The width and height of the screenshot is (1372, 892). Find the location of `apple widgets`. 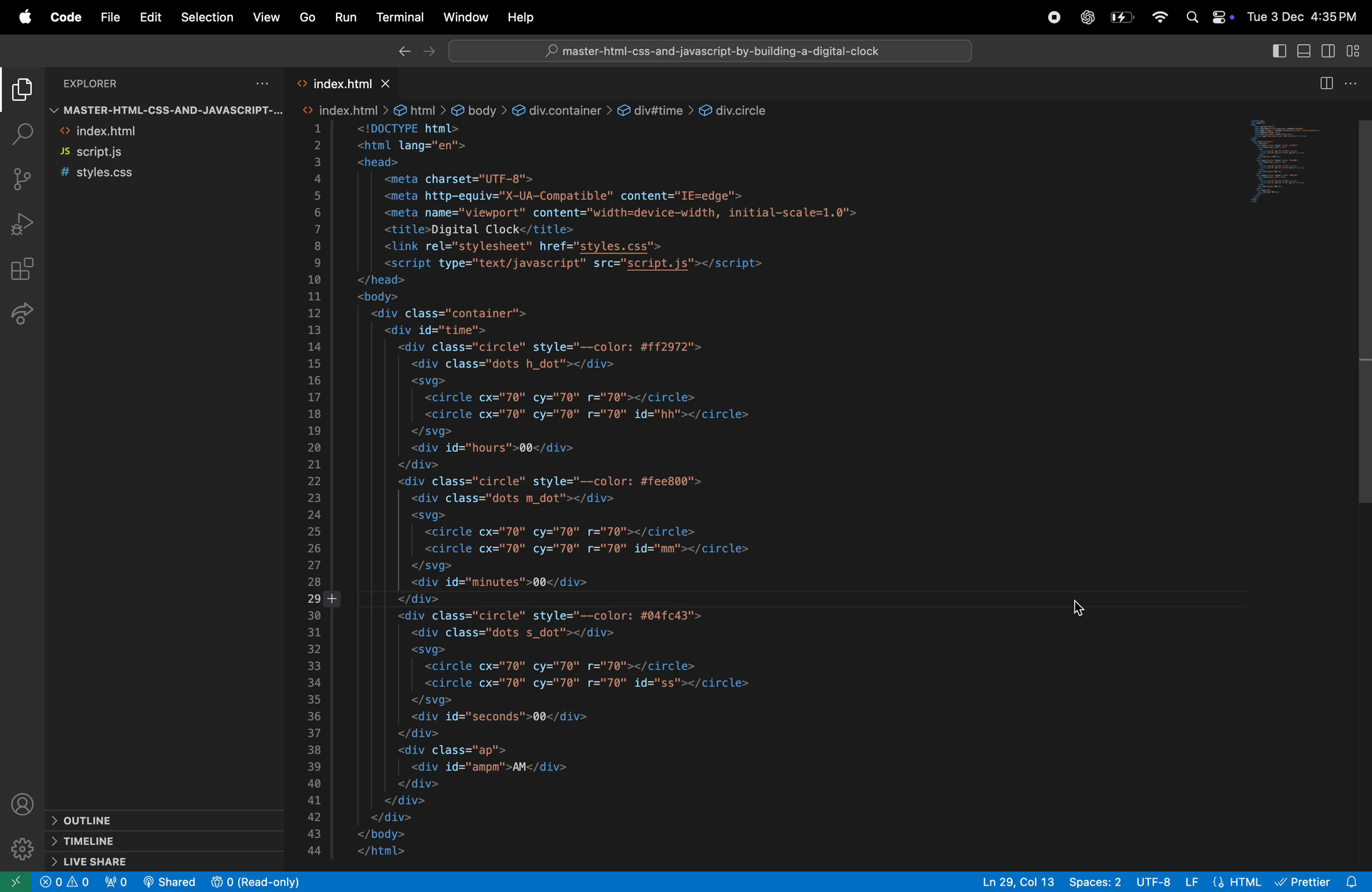

apple widgets is located at coordinates (1210, 18).